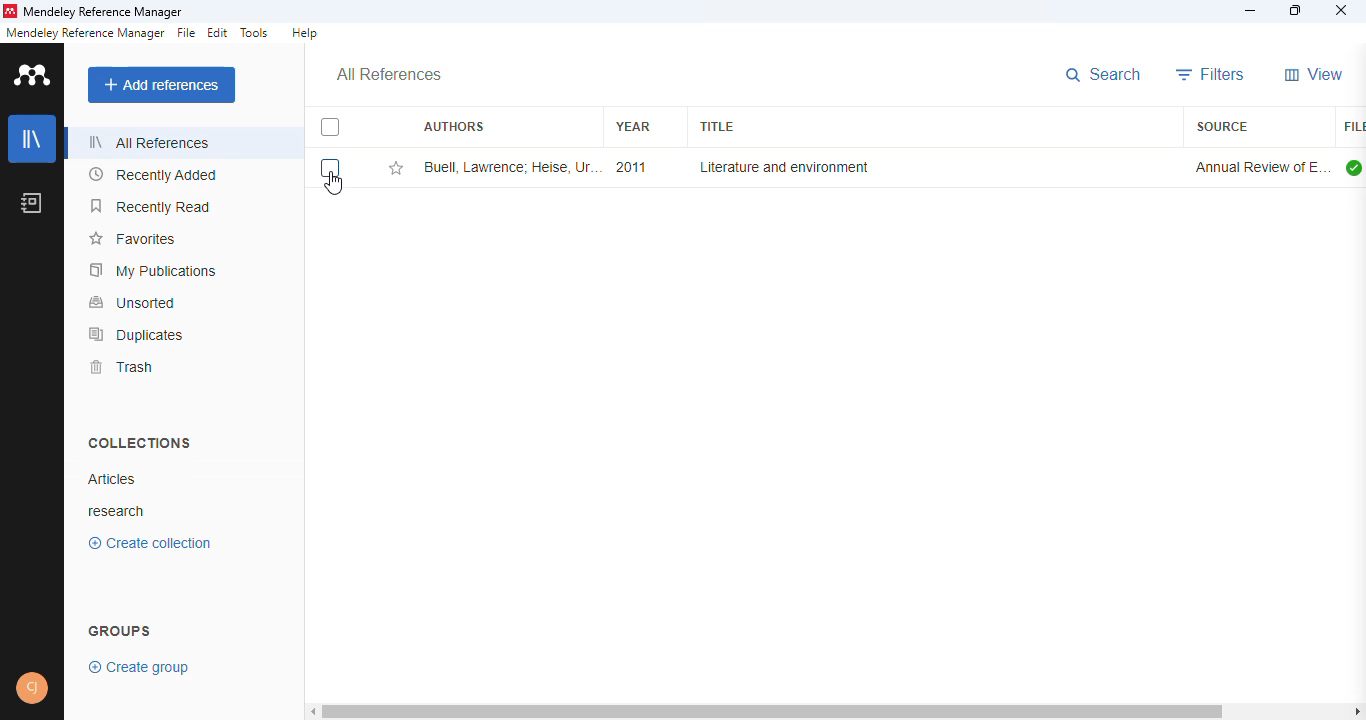 This screenshot has width=1366, height=720. I want to click on title, so click(715, 127).